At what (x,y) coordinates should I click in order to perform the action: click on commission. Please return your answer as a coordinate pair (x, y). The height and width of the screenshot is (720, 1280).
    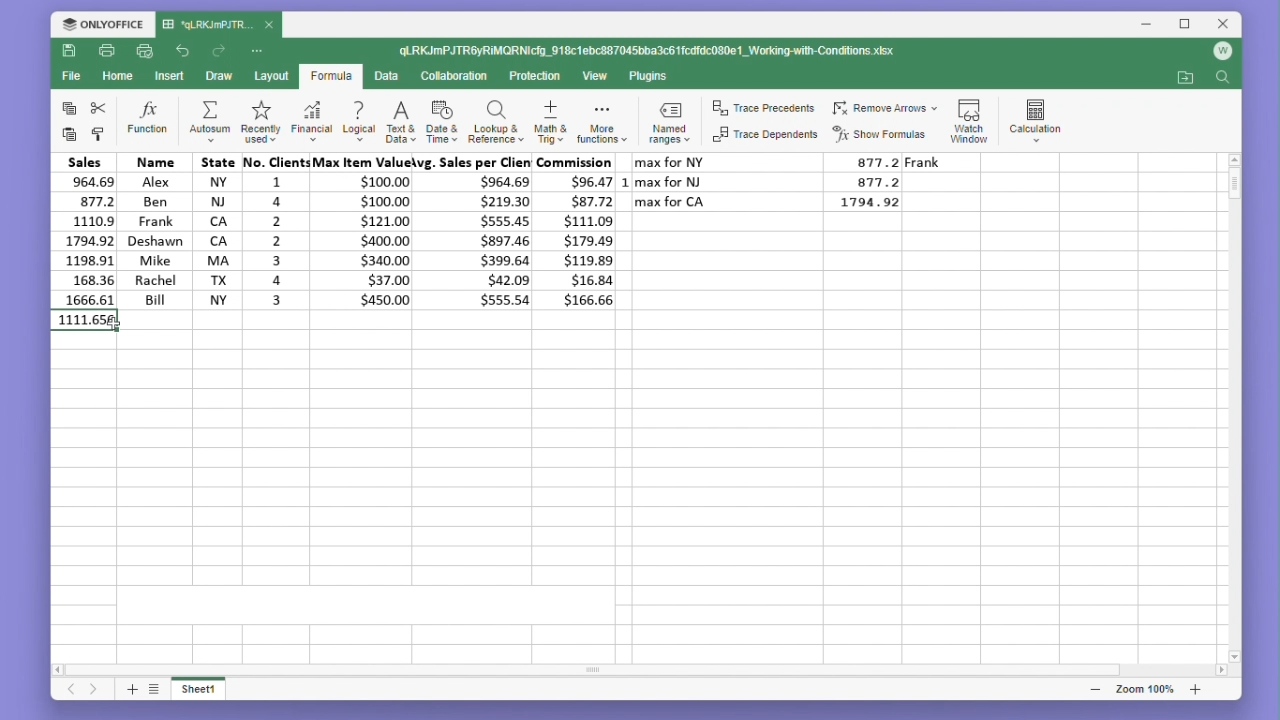
    Looking at the image, I should click on (579, 231).